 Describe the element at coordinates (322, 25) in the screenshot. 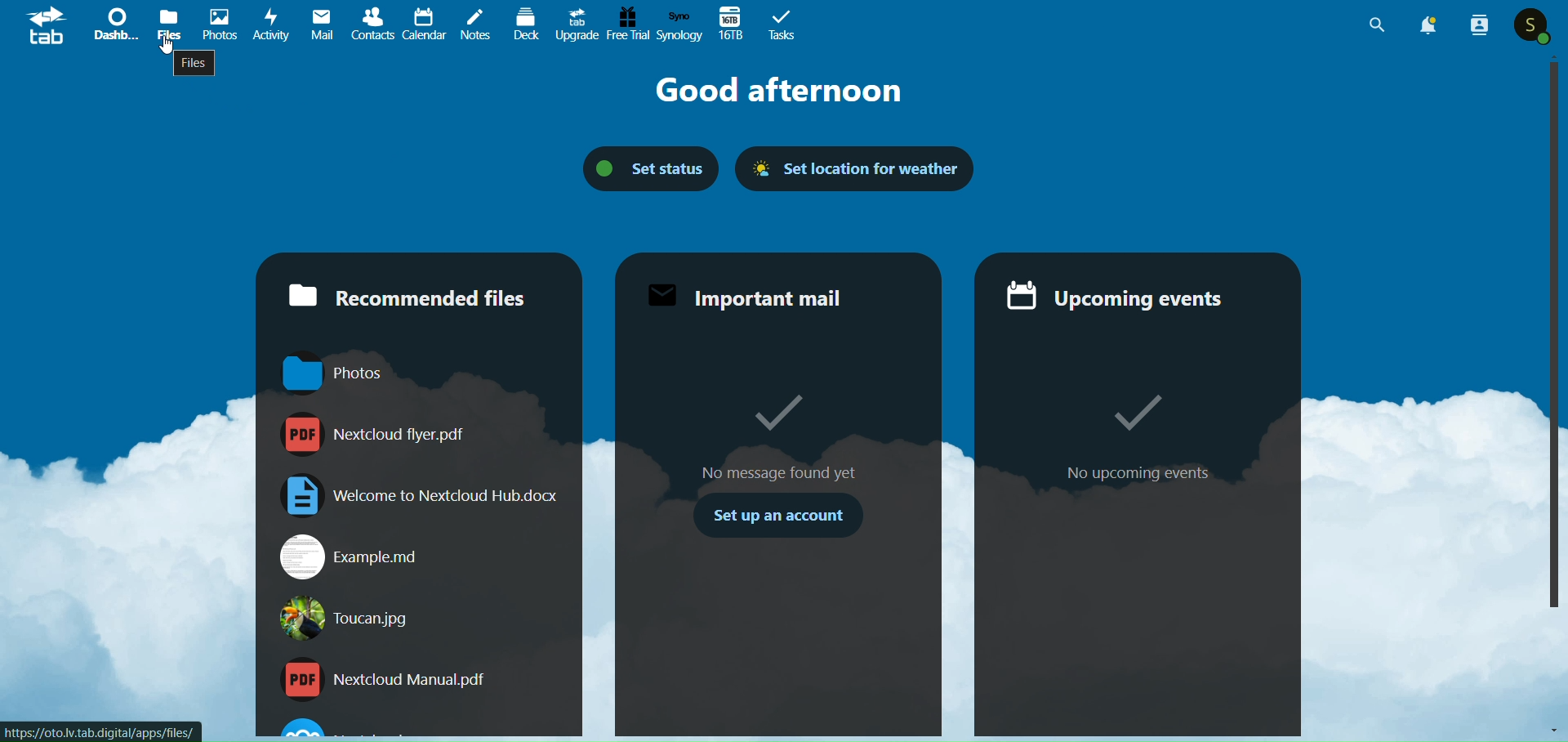

I see `mail` at that location.